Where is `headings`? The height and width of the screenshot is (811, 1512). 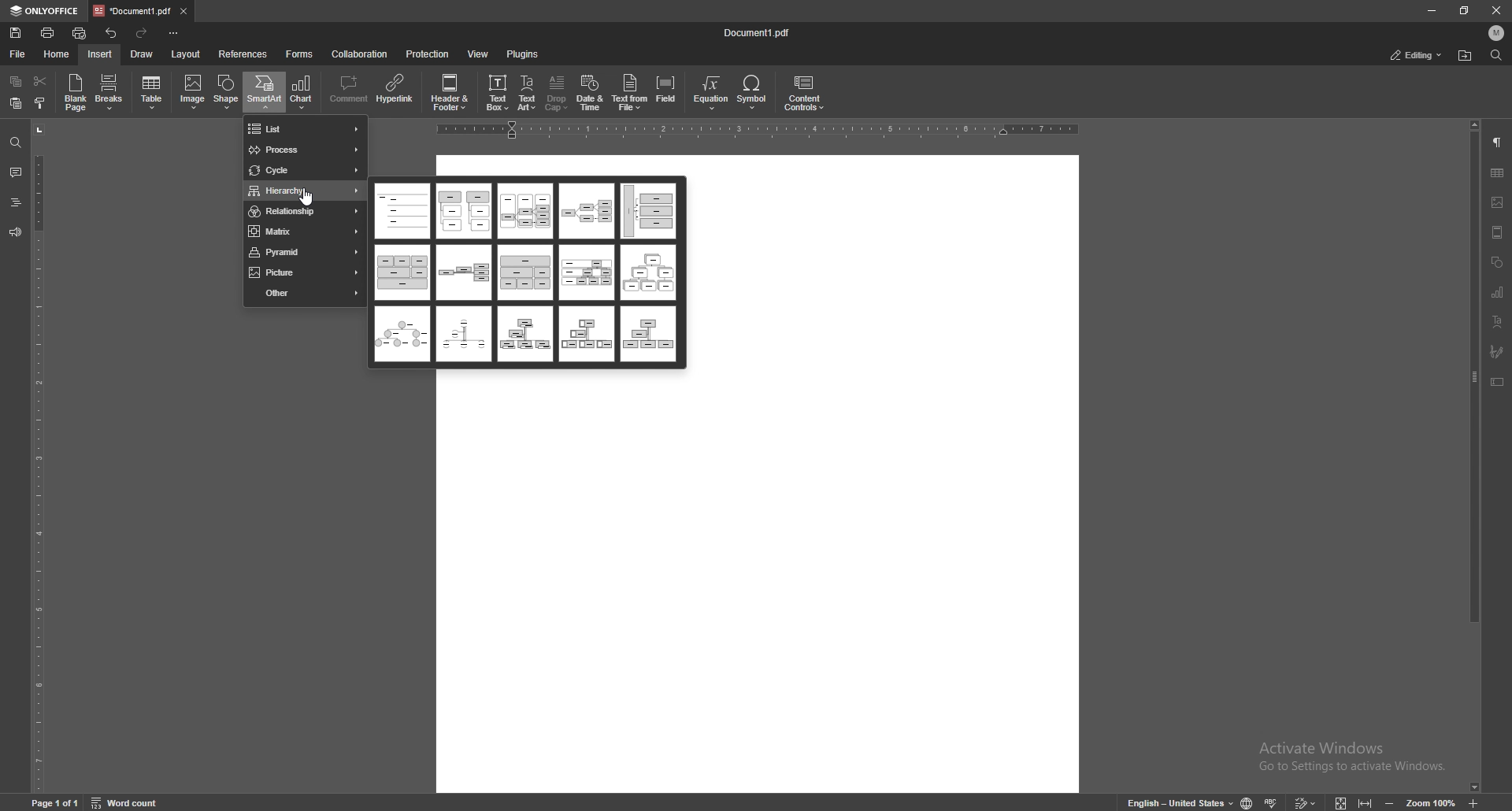 headings is located at coordinates (16, 202).